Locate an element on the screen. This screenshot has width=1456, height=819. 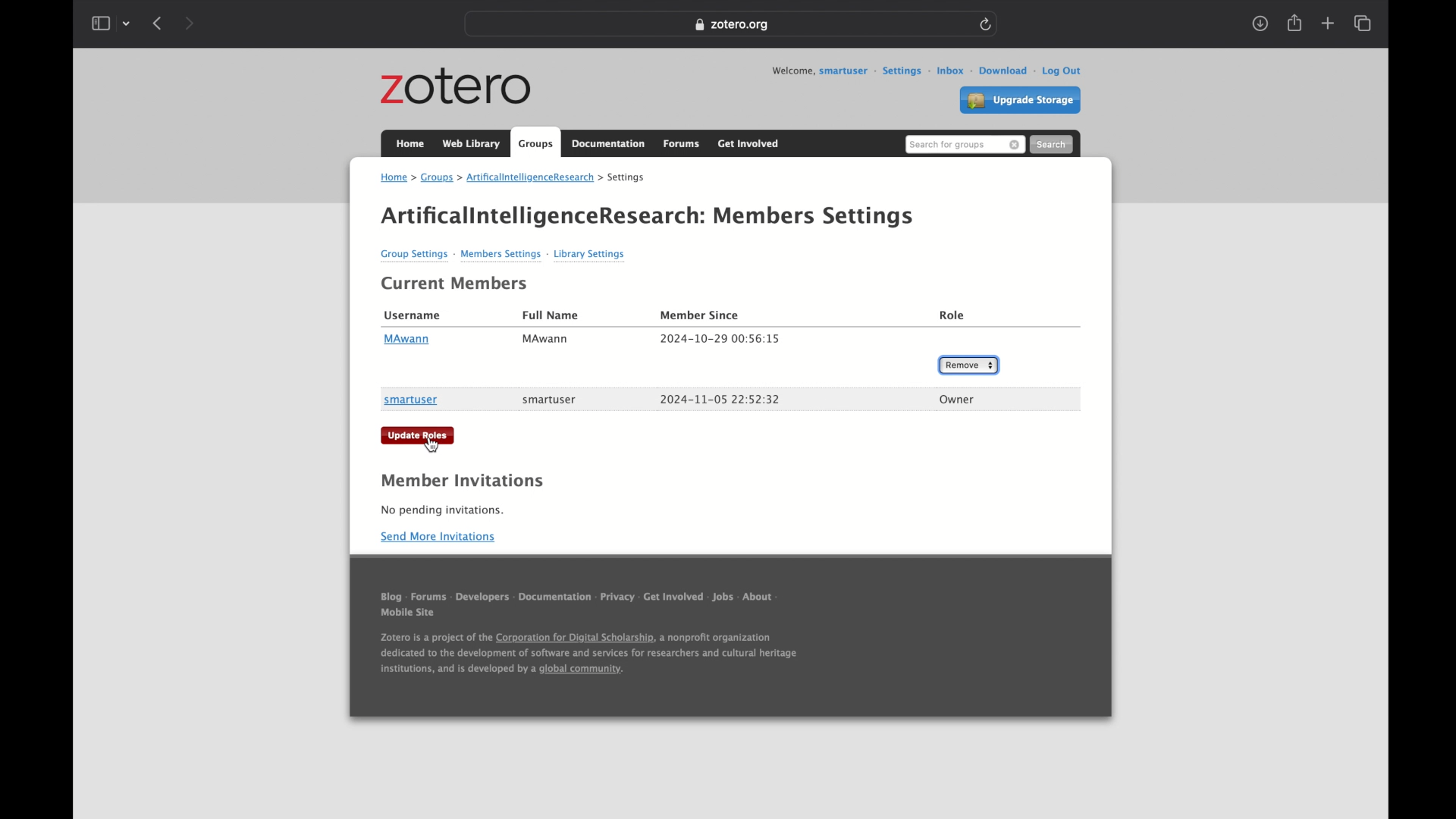
library settings is located at coordinates (589, 255).